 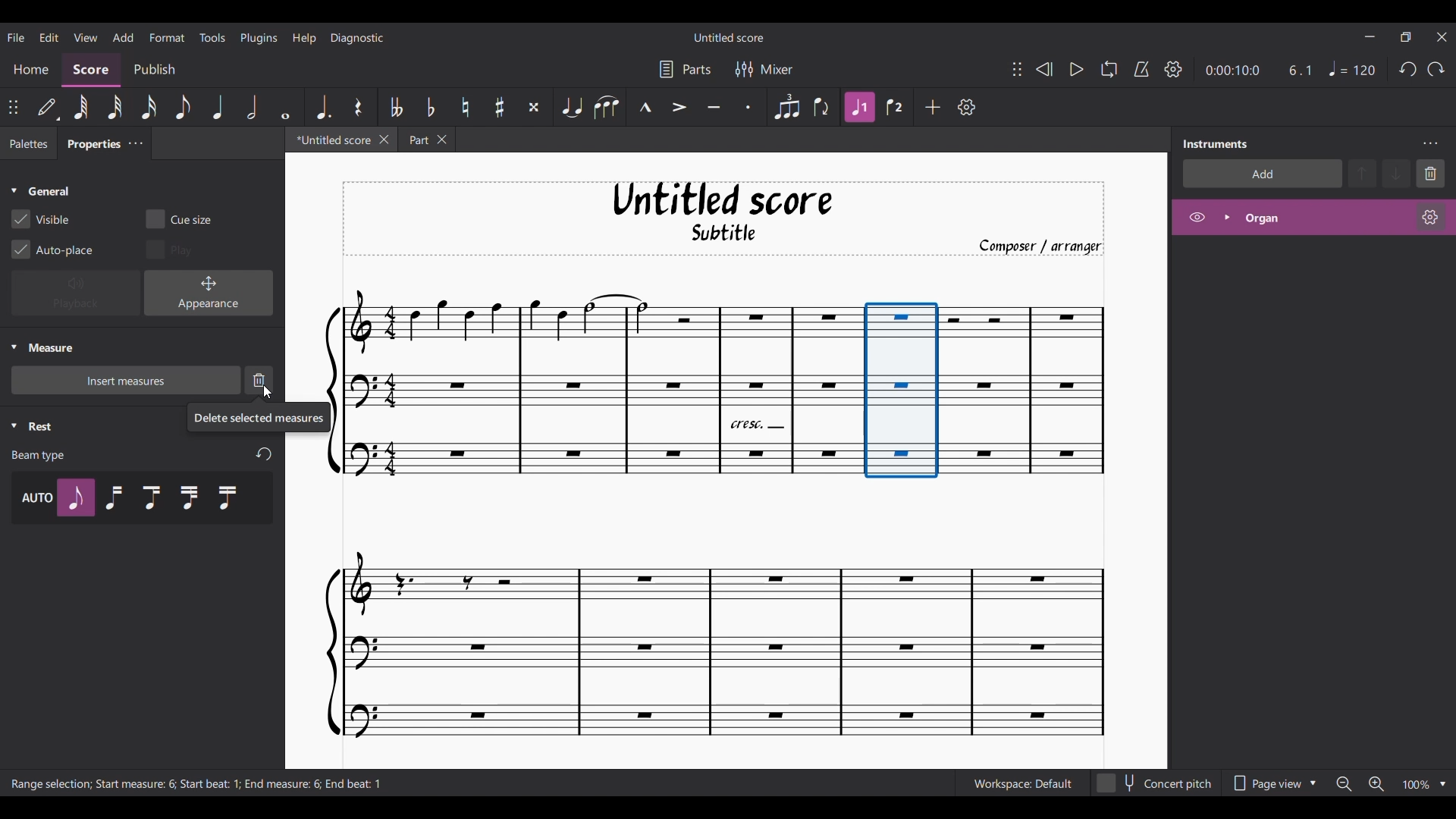 What do you see at coordinates (264, 455) in the screenshot?
I see `Undo changes made` at bounding box center [264, 455].